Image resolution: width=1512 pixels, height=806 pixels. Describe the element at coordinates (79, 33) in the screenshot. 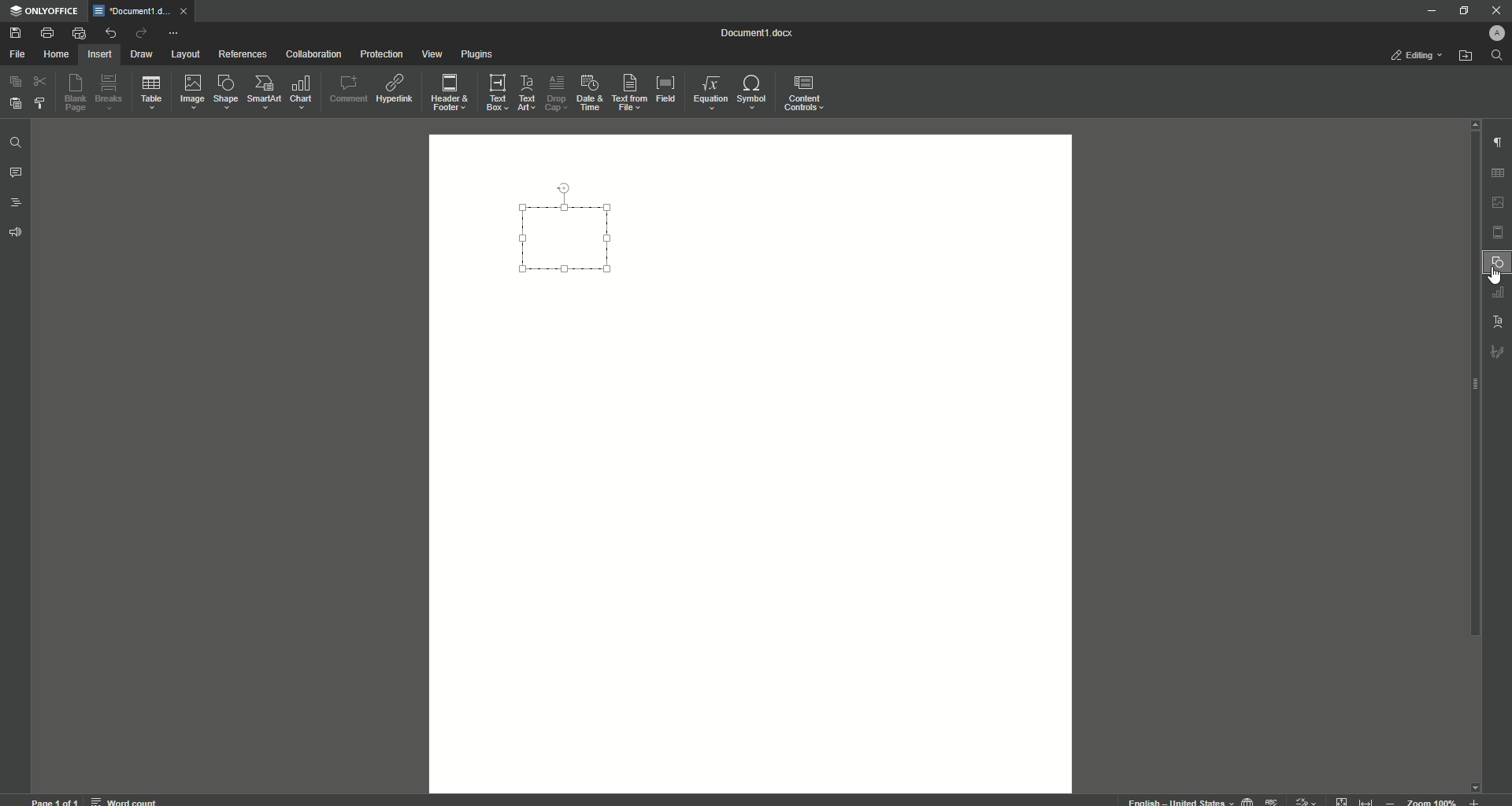

I see `Quick Print` at that location.